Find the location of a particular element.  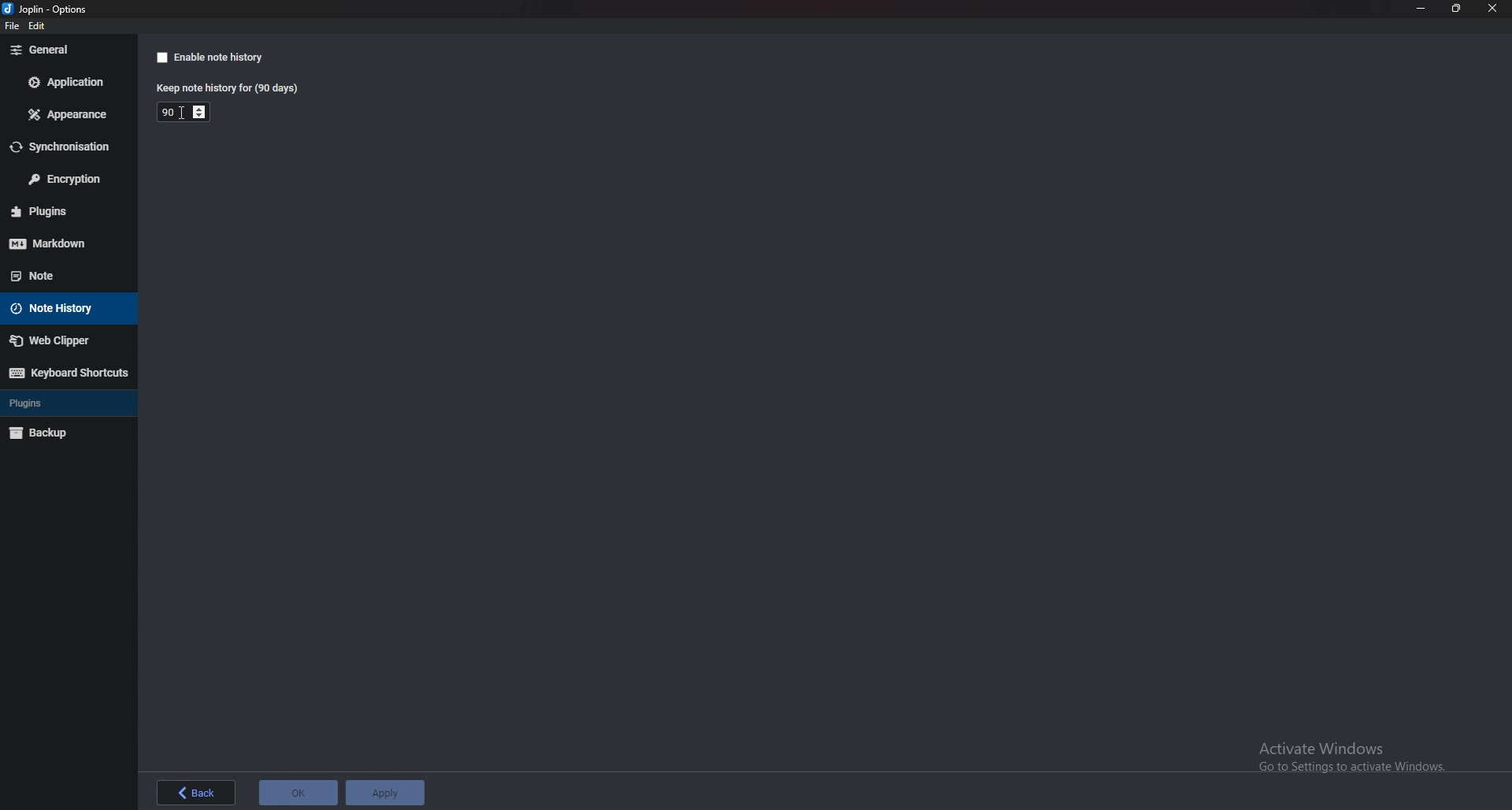

mark down is located at coordinates (63, 243).